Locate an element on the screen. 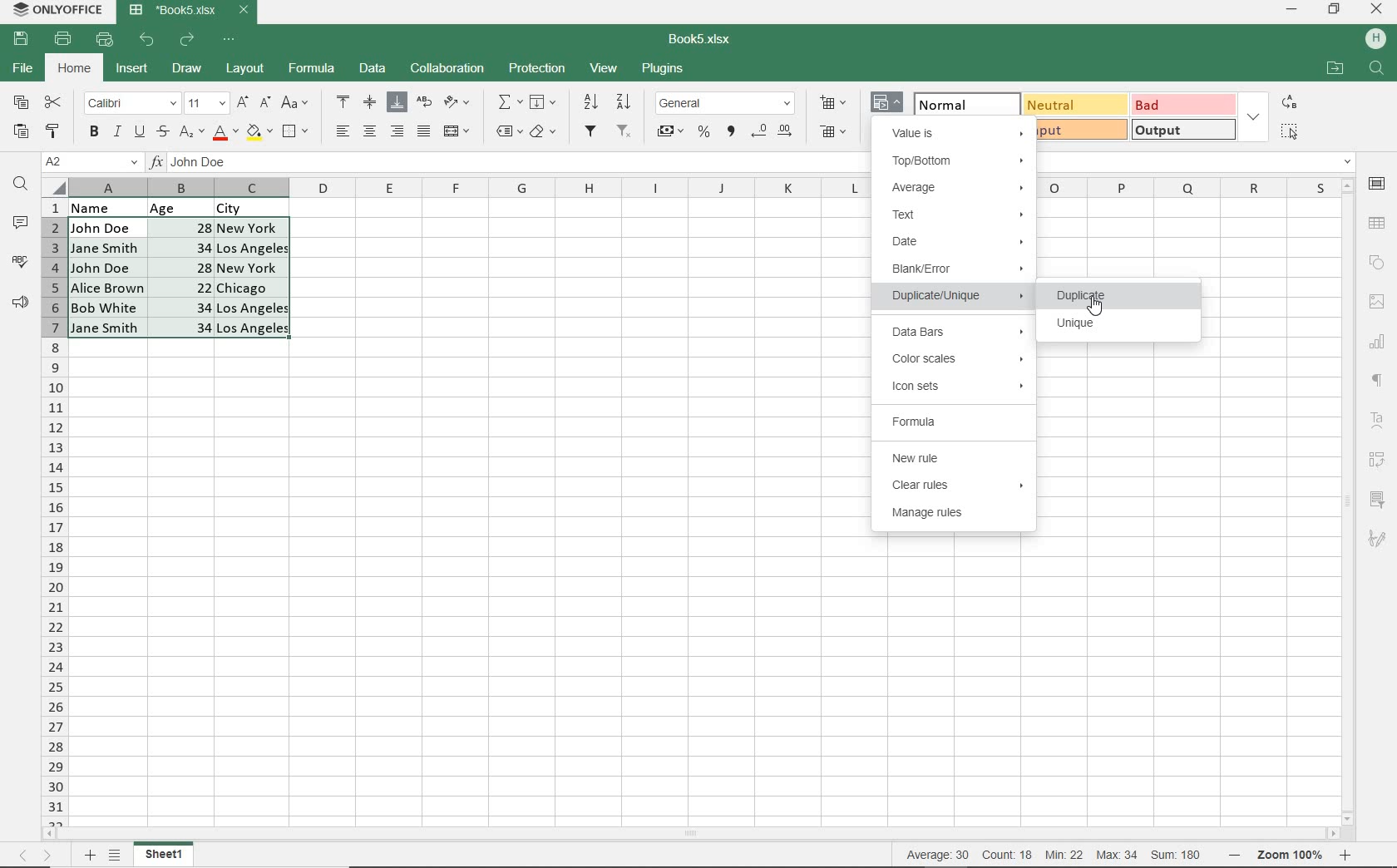 The height and width of the screenshot is (868, 1397). CLEAR RULES is located at coordinates (955, 486).